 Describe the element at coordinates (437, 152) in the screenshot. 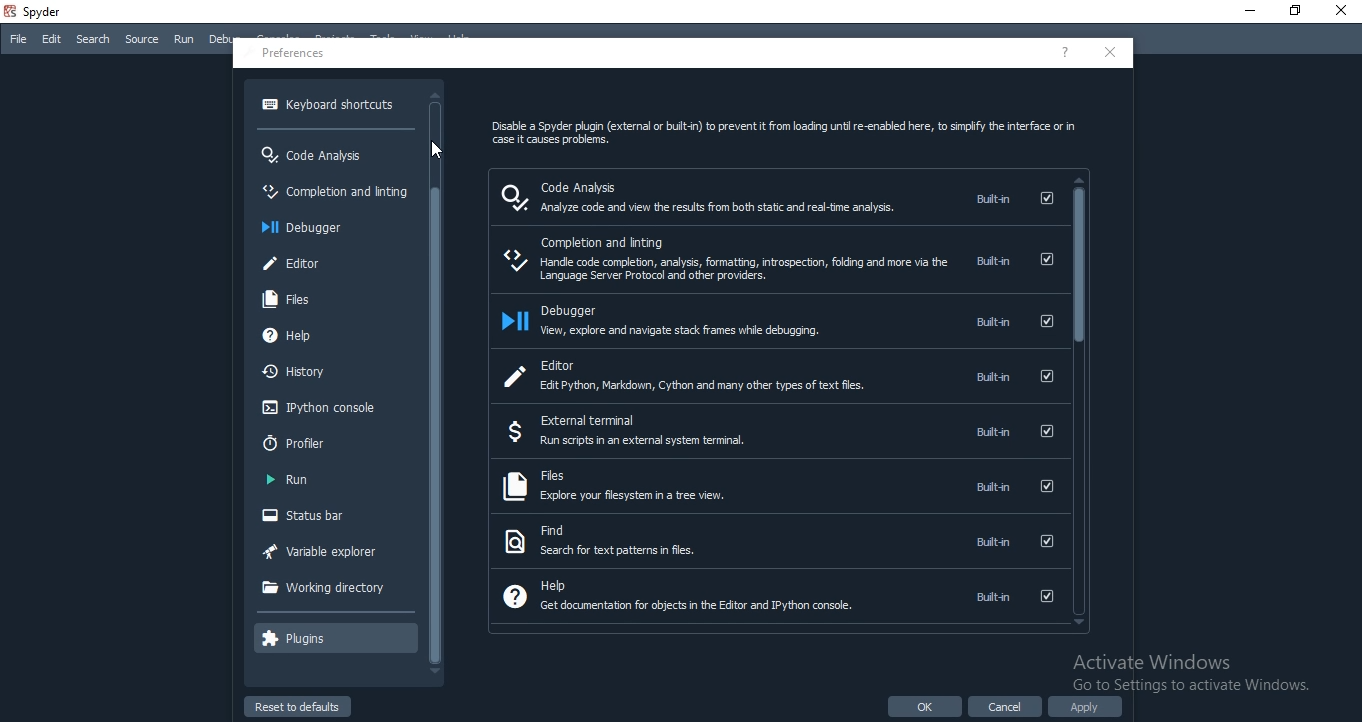

I see `Cursor` at that location.